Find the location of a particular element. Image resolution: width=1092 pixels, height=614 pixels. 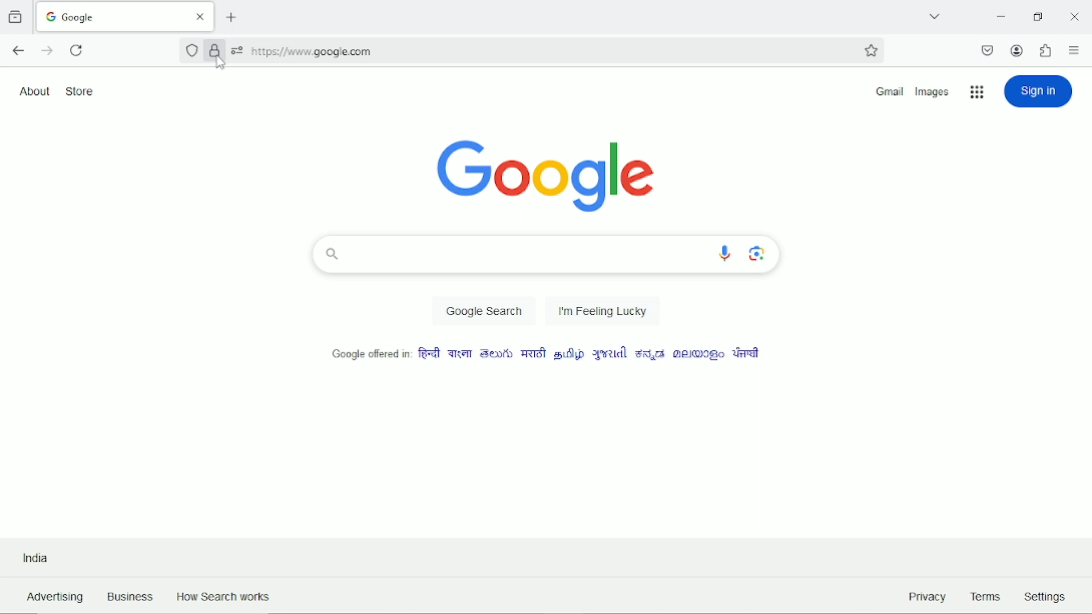

https://www.google.com is located at coordinates (548, 51).